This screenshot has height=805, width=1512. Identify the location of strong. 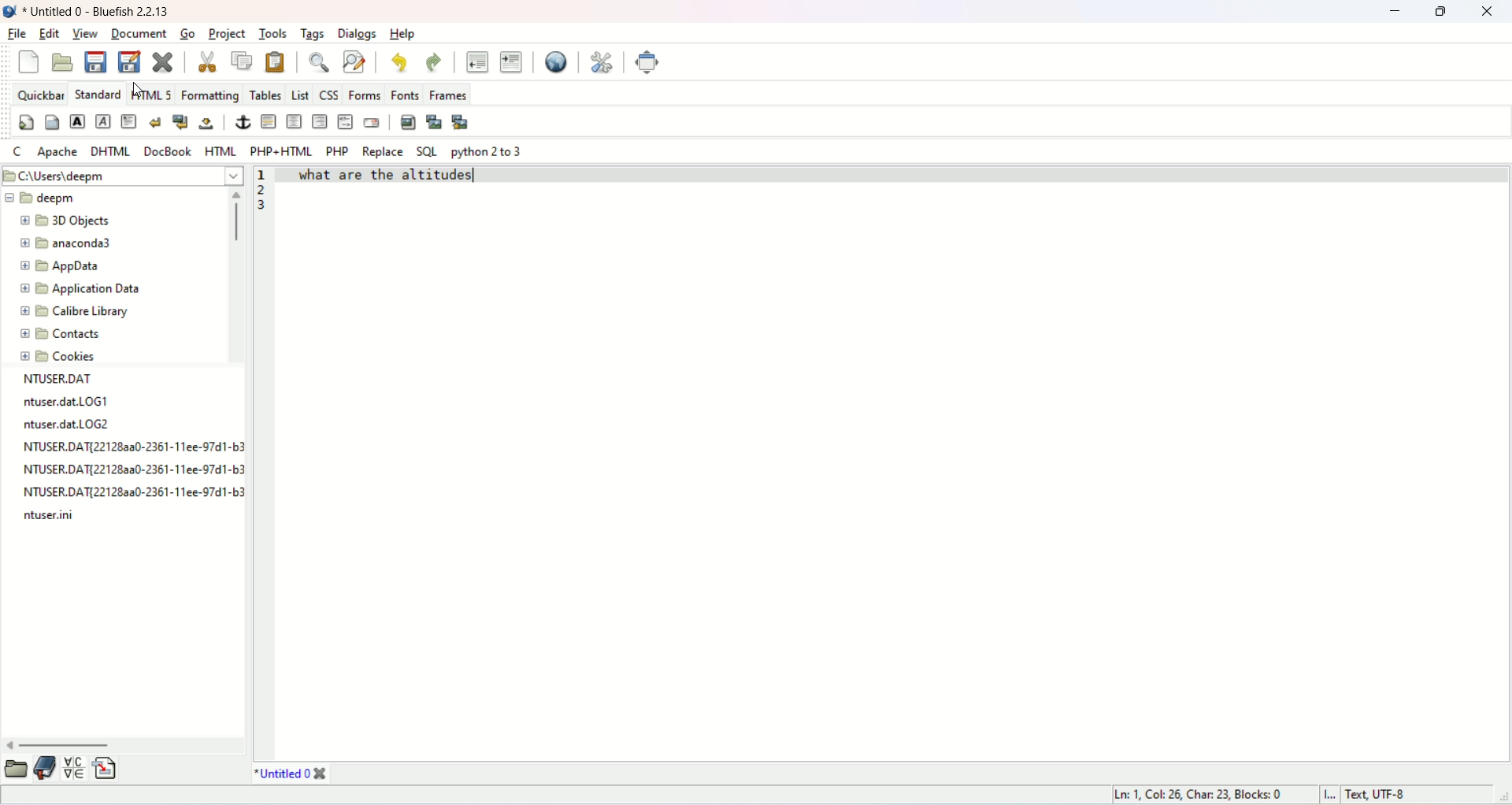
(77, 121).